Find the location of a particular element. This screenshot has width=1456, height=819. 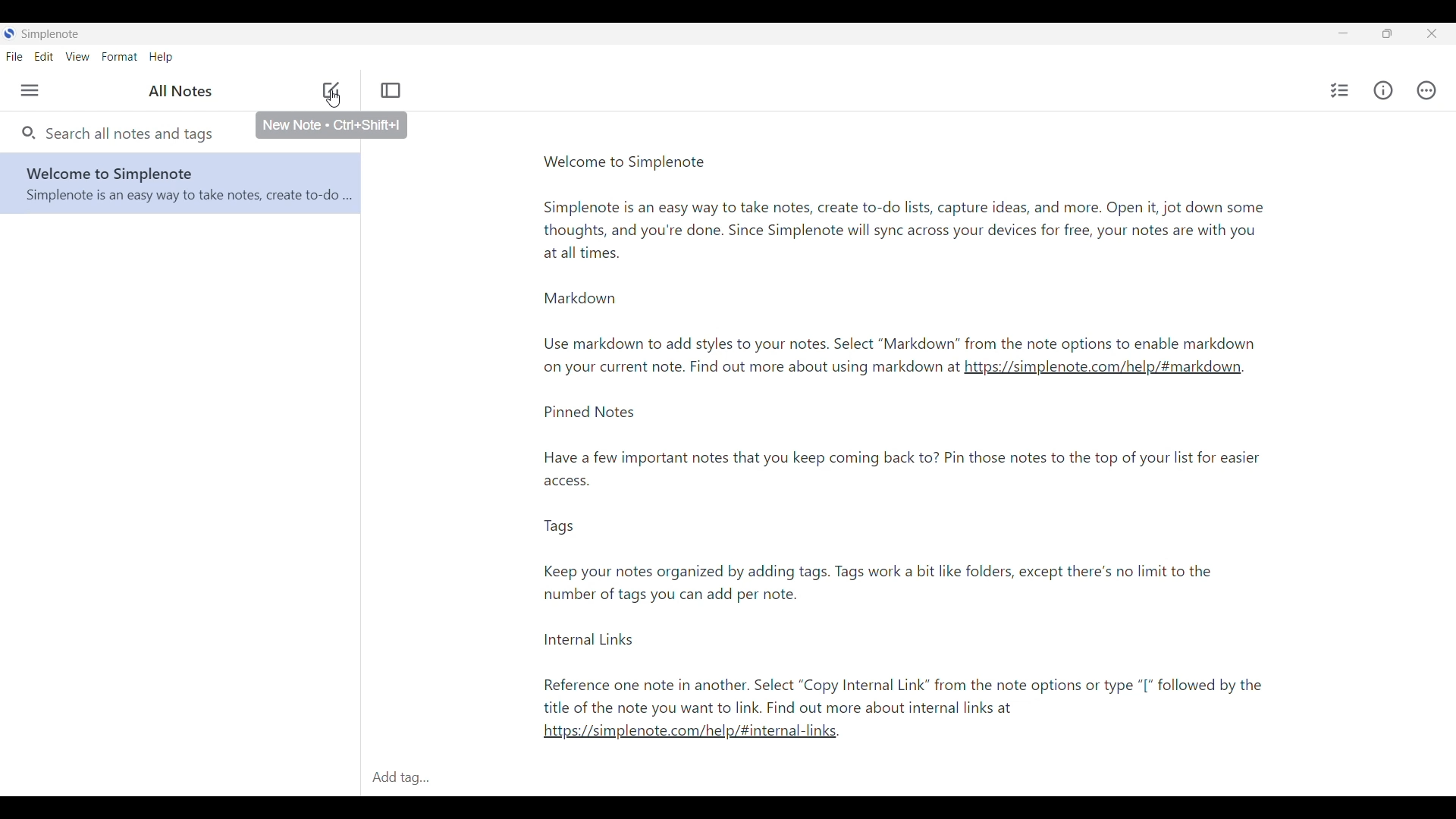

Search all notes and tags is located at coordinates (118, 132).